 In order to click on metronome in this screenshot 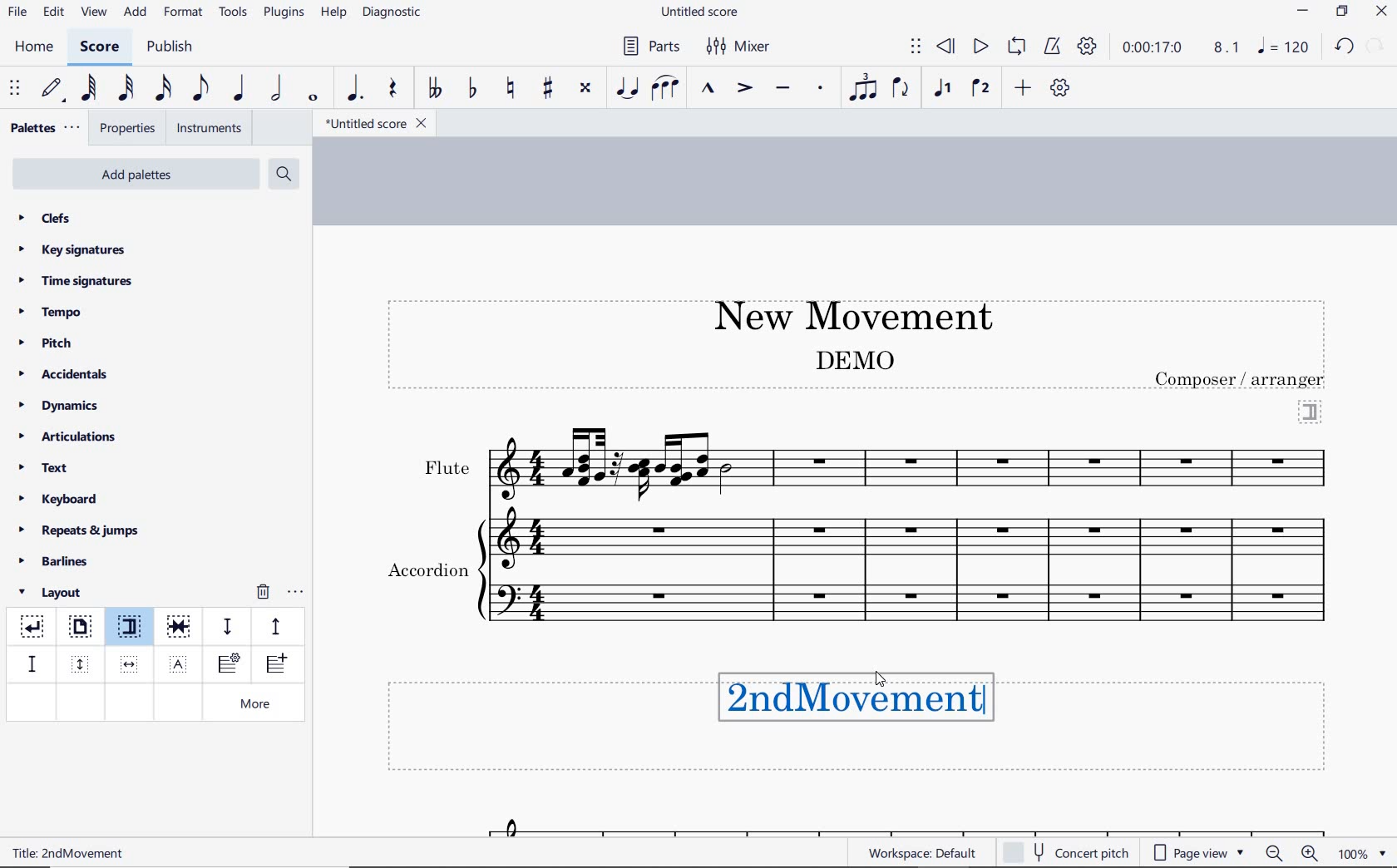, I will do `click(1051, 47)`.